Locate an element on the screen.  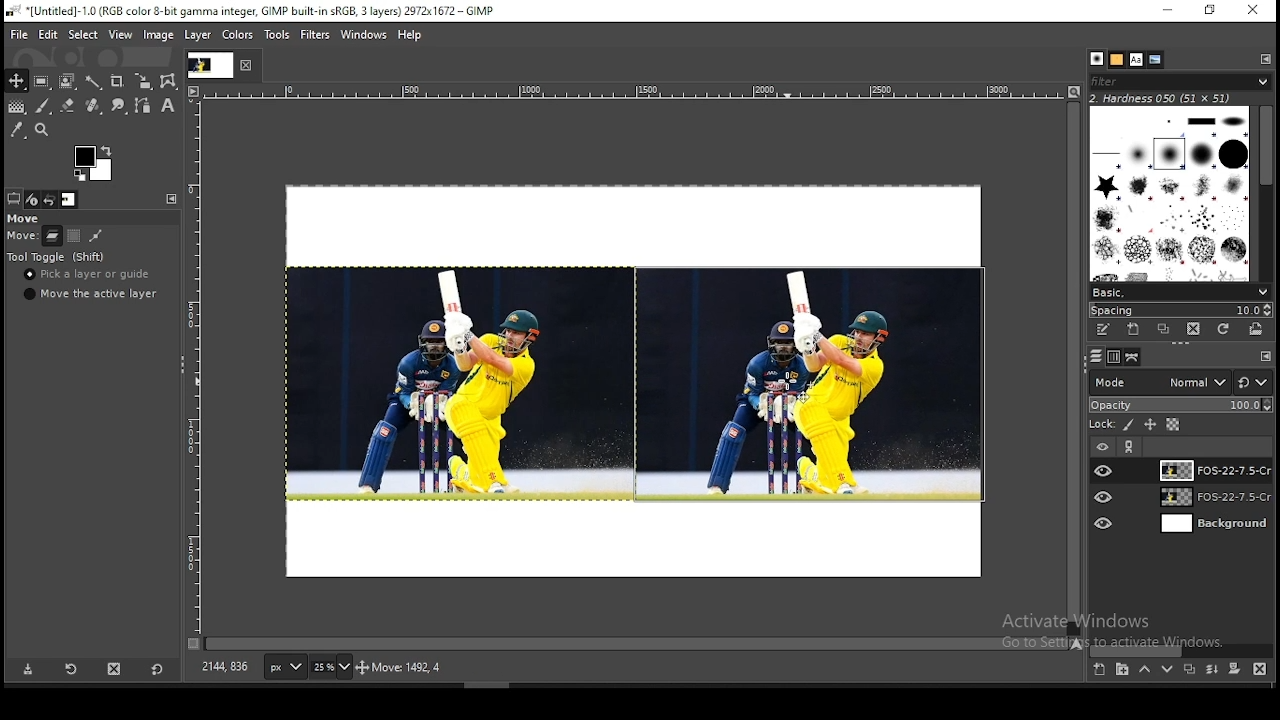
merge layer is located at coordinates (1212, 669).